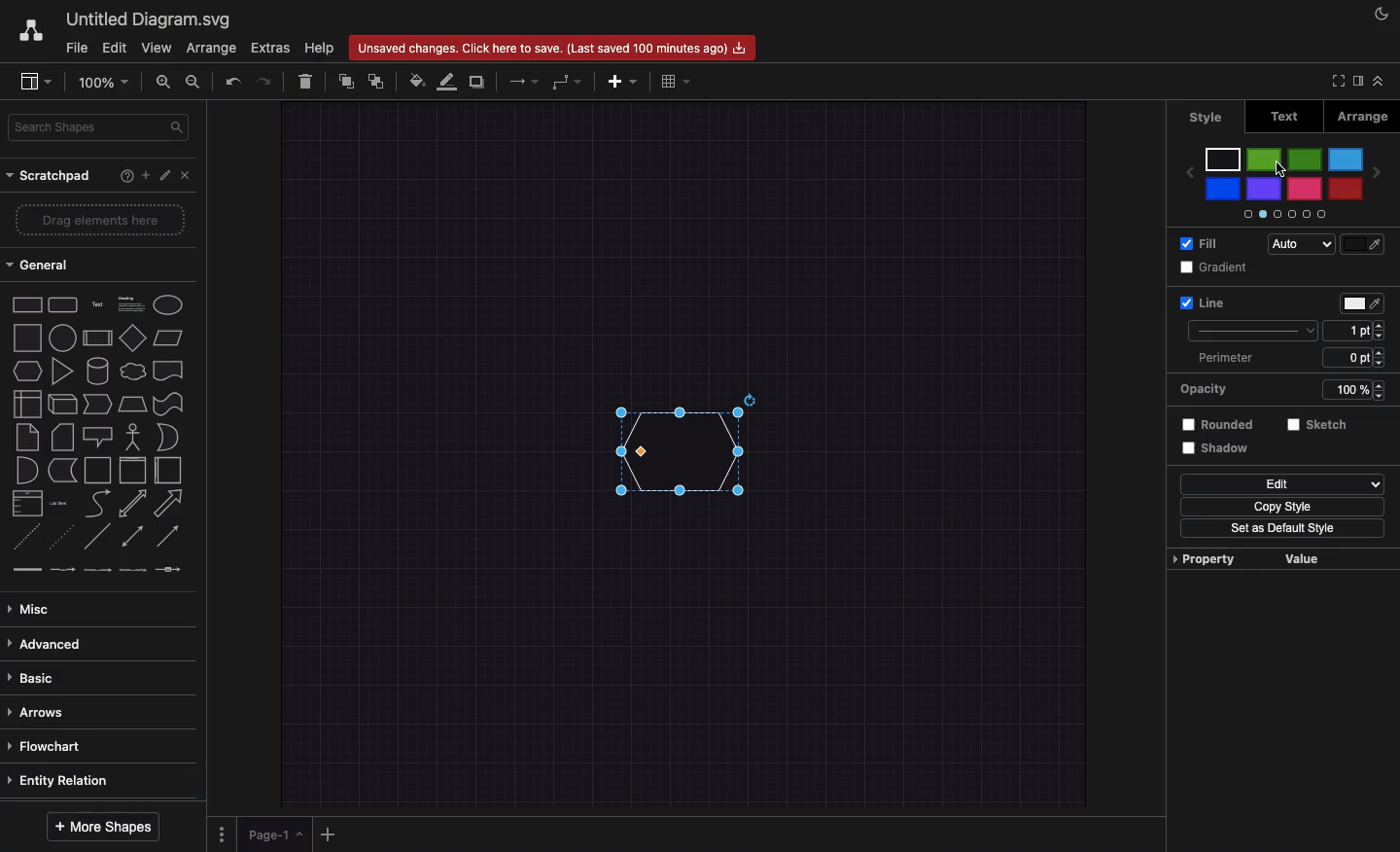 The image size is (1400, 852). What do you see at coordinates (479, 82) in the screenshot?
I see `Duplicate` at bounding box center [479, 82].